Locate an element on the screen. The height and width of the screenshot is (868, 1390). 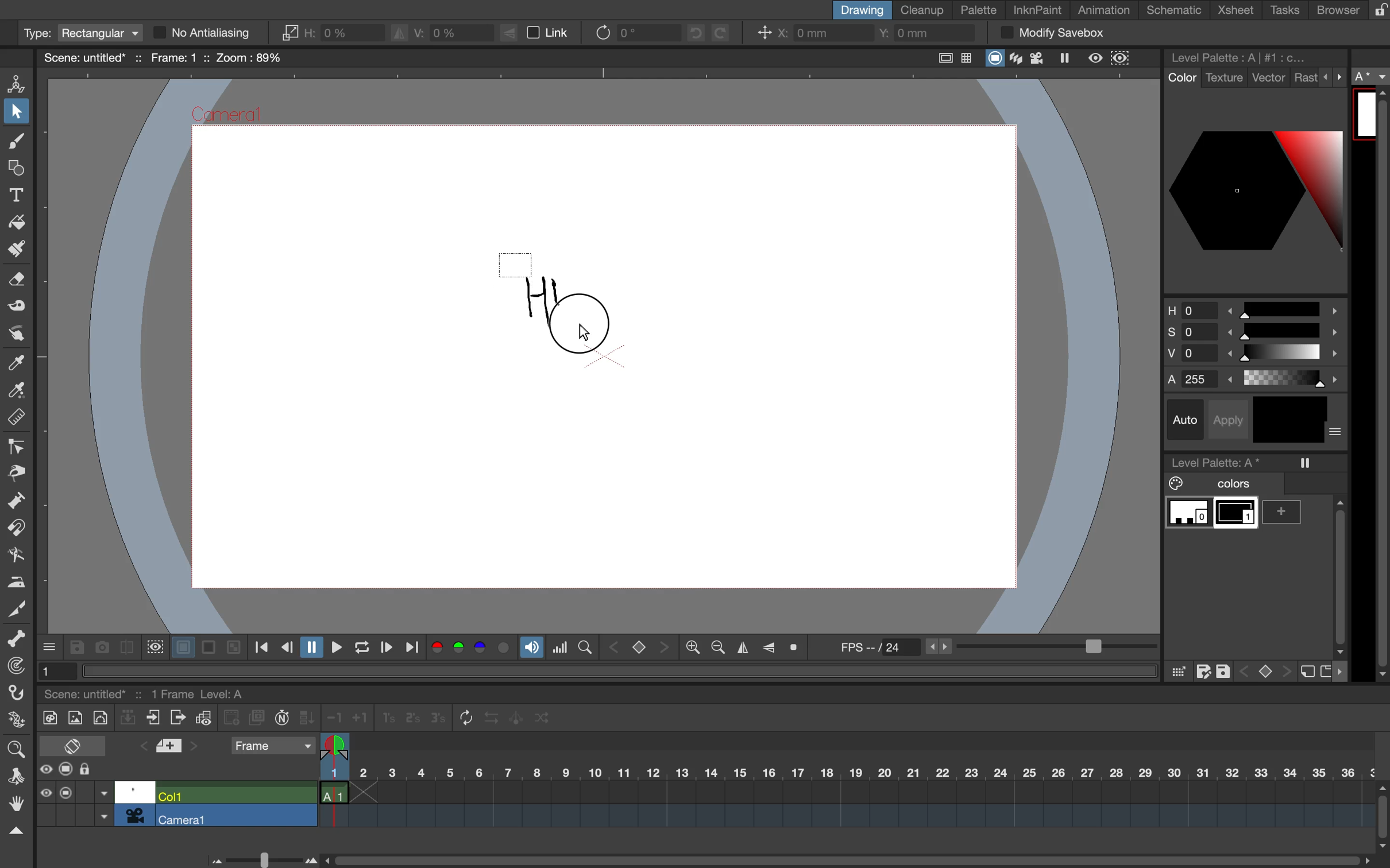
black background is located at coordinates (208, 648).